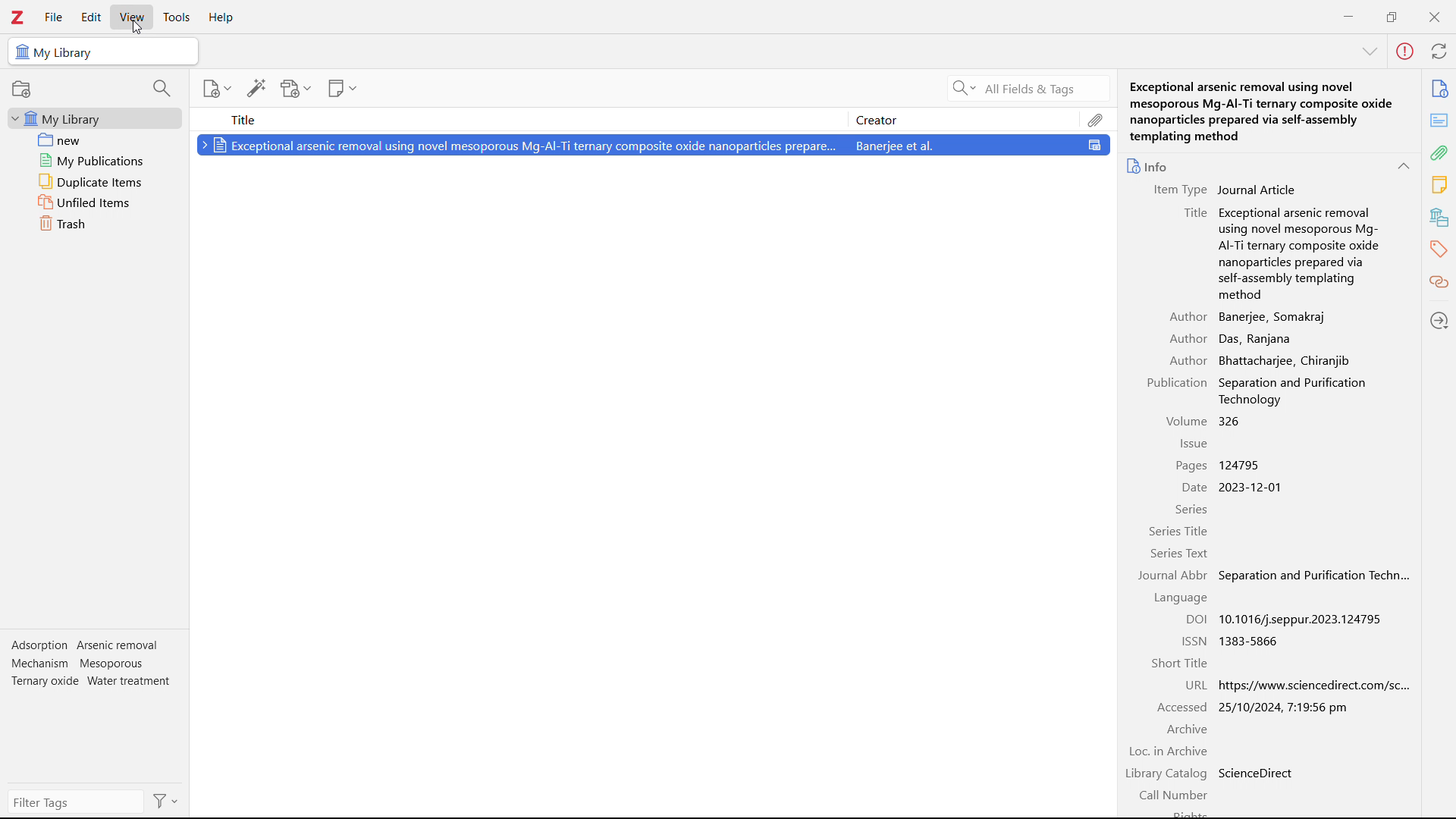  What do you see at coordinates (1191, 509) in the screenshot?
I see `Series` at bounding box center [1191, 509].